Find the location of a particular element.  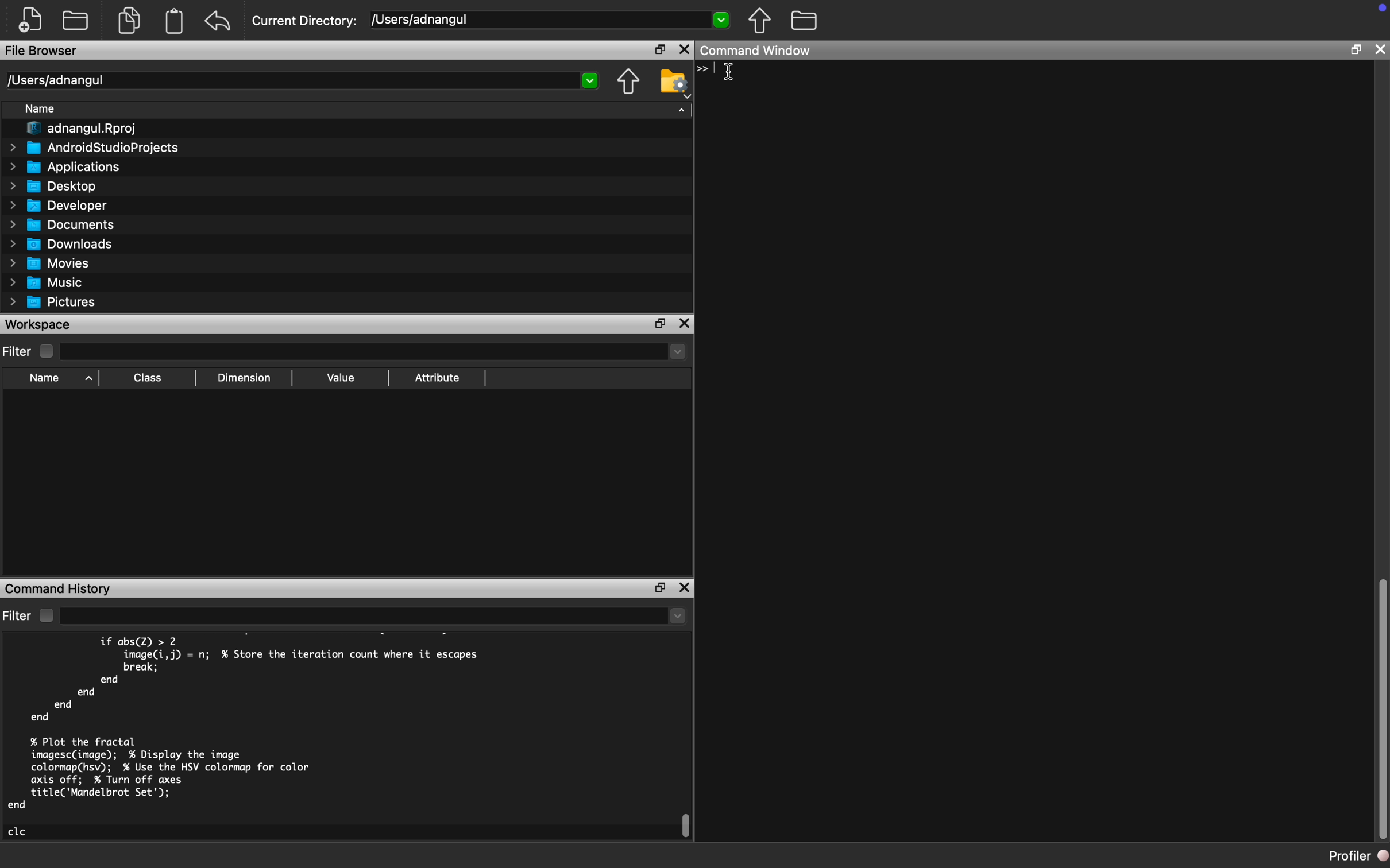

New File is located at coordinates (29, 21).